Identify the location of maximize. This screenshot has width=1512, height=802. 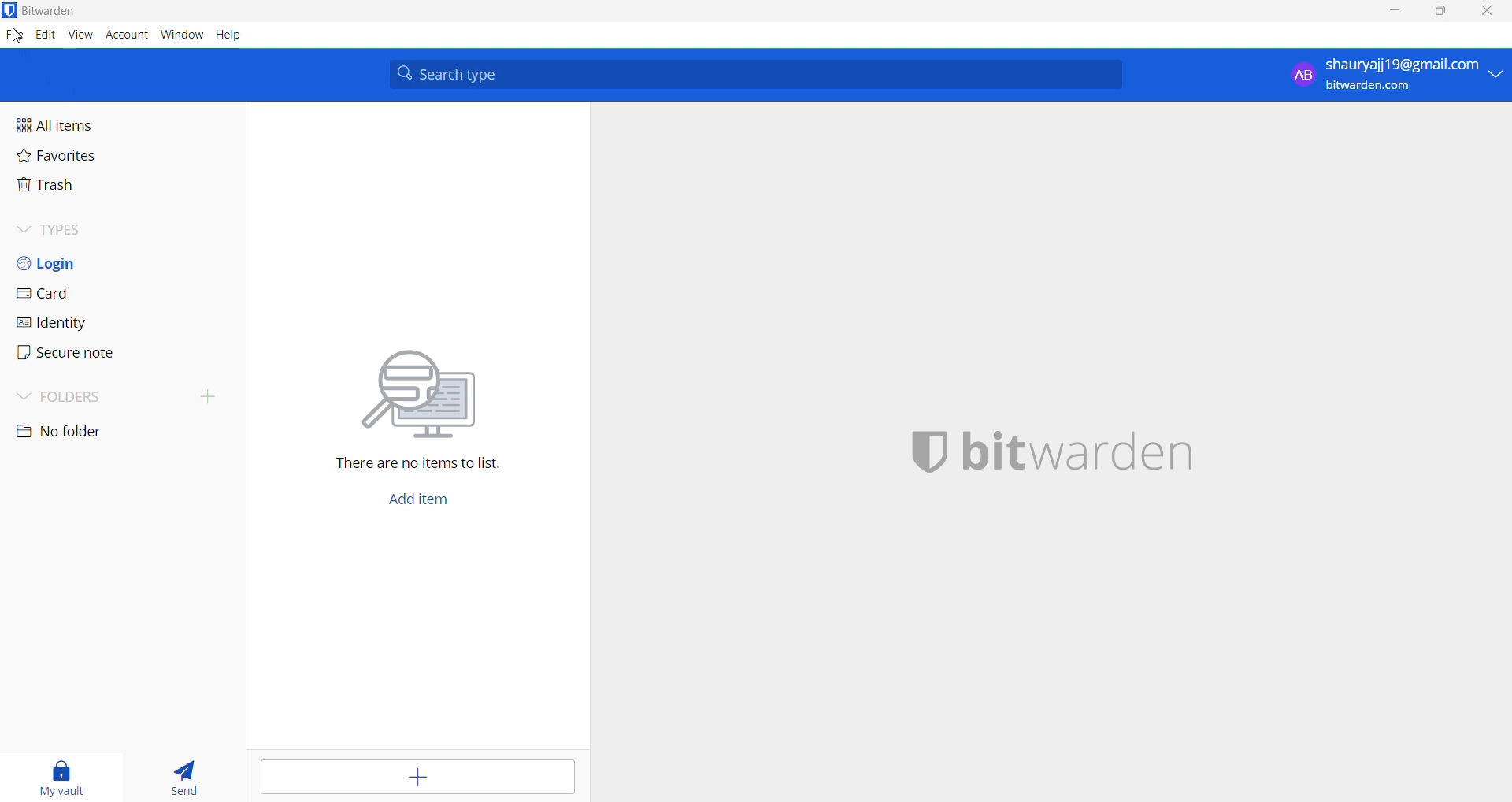
(1435, 12).